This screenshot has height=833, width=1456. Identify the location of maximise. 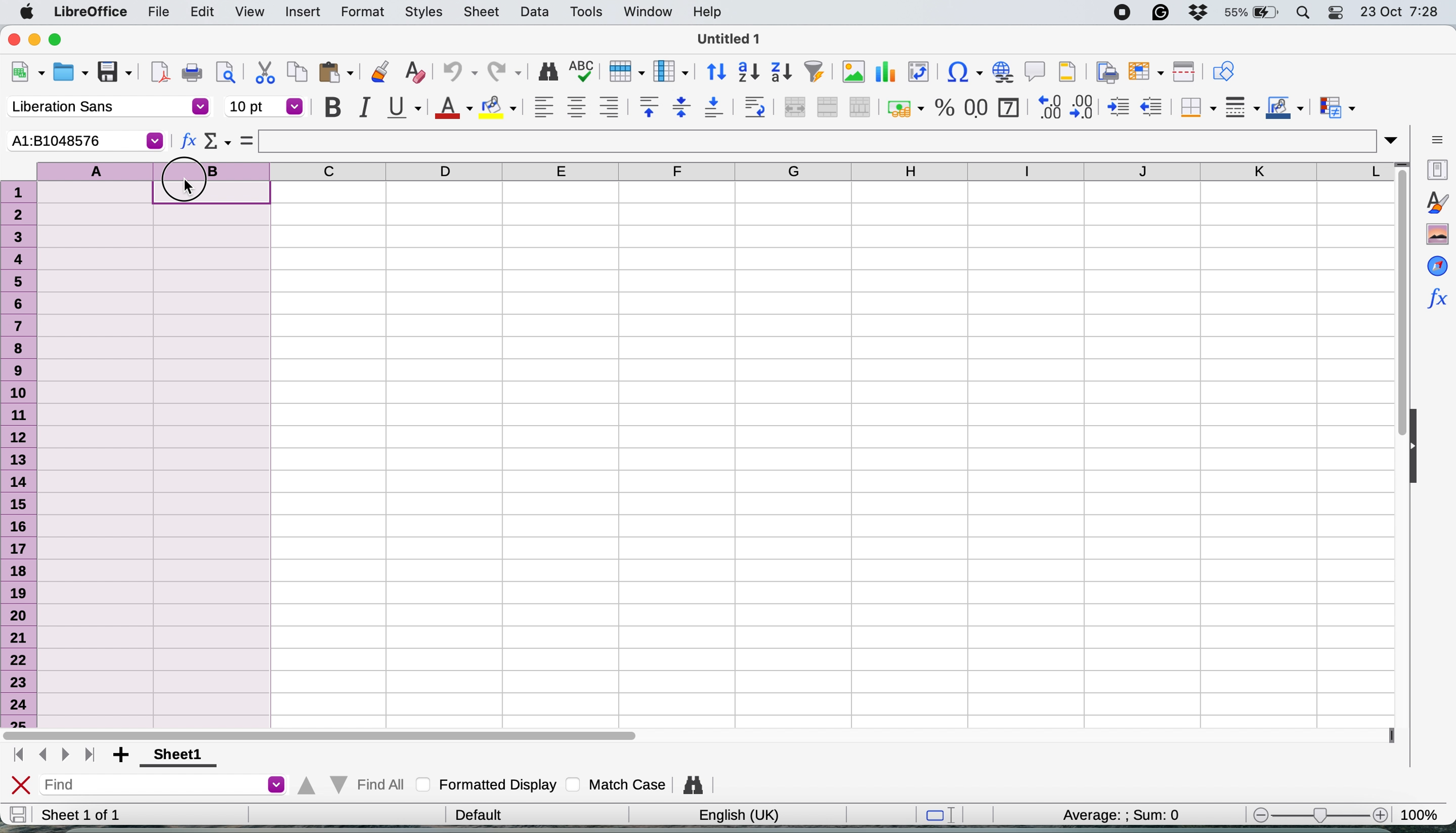
(61, 41).